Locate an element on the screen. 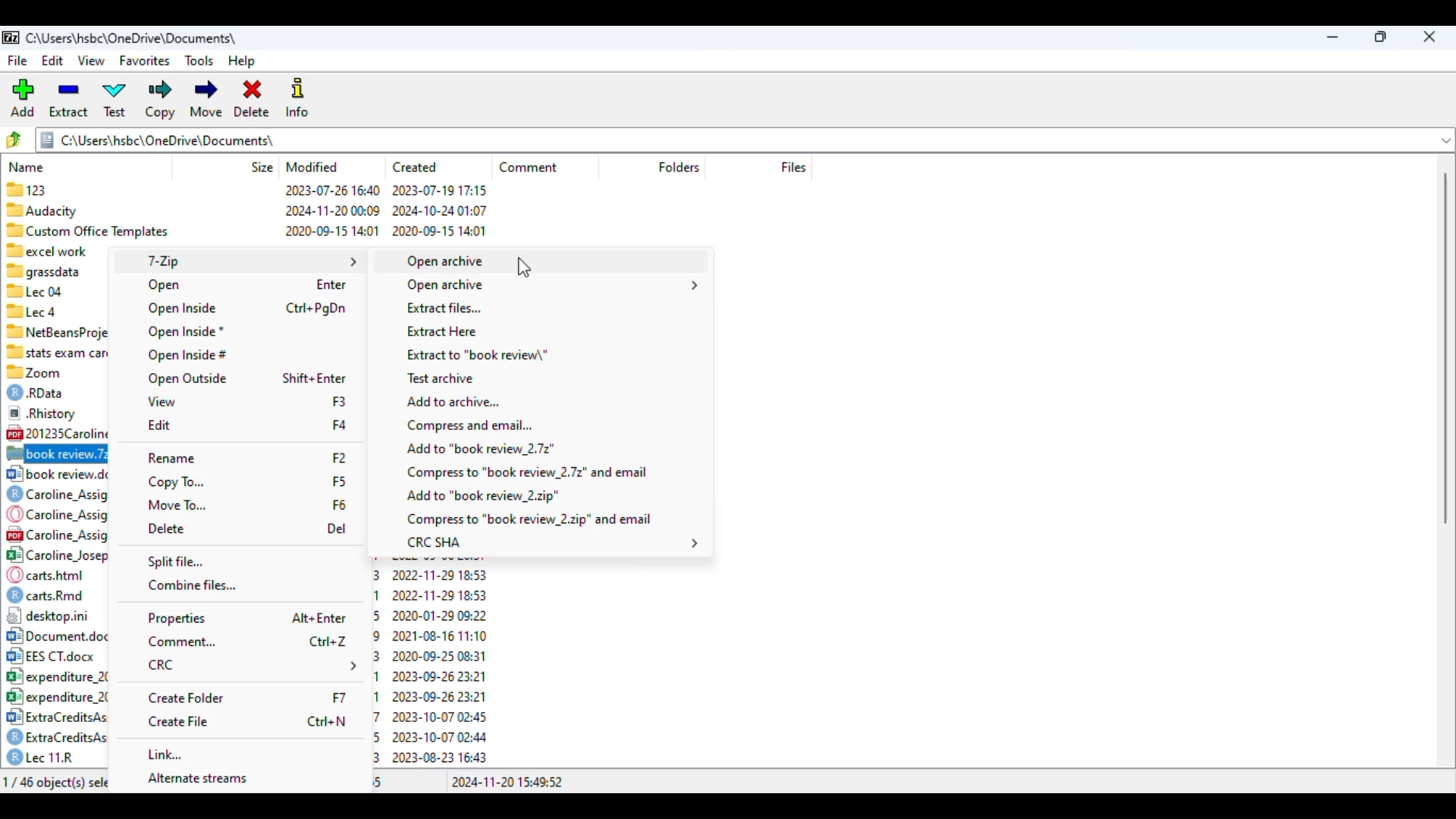 The width and height of the screenshot is (1456, 819). add is located at coordinates (22, 96).